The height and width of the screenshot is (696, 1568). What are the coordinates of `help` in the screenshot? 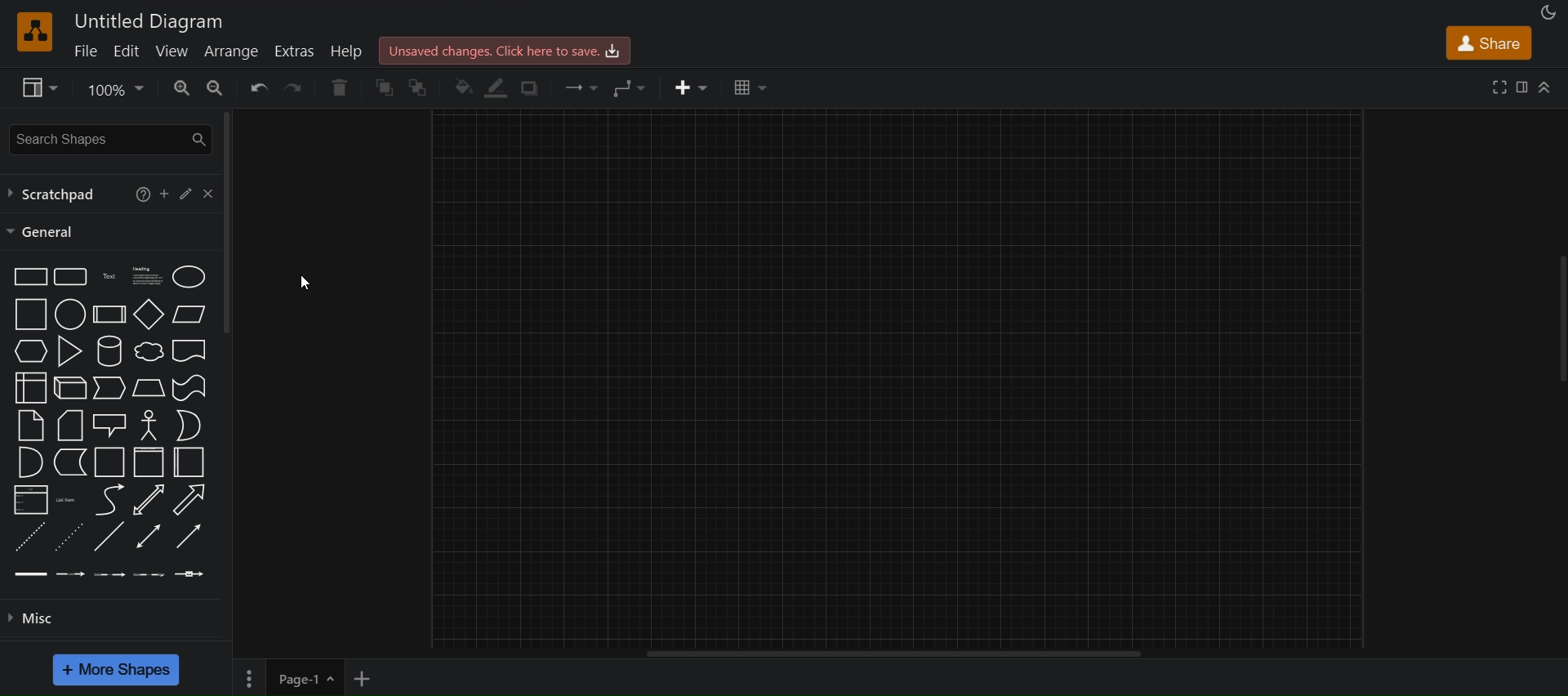 It's located at (349, 51).